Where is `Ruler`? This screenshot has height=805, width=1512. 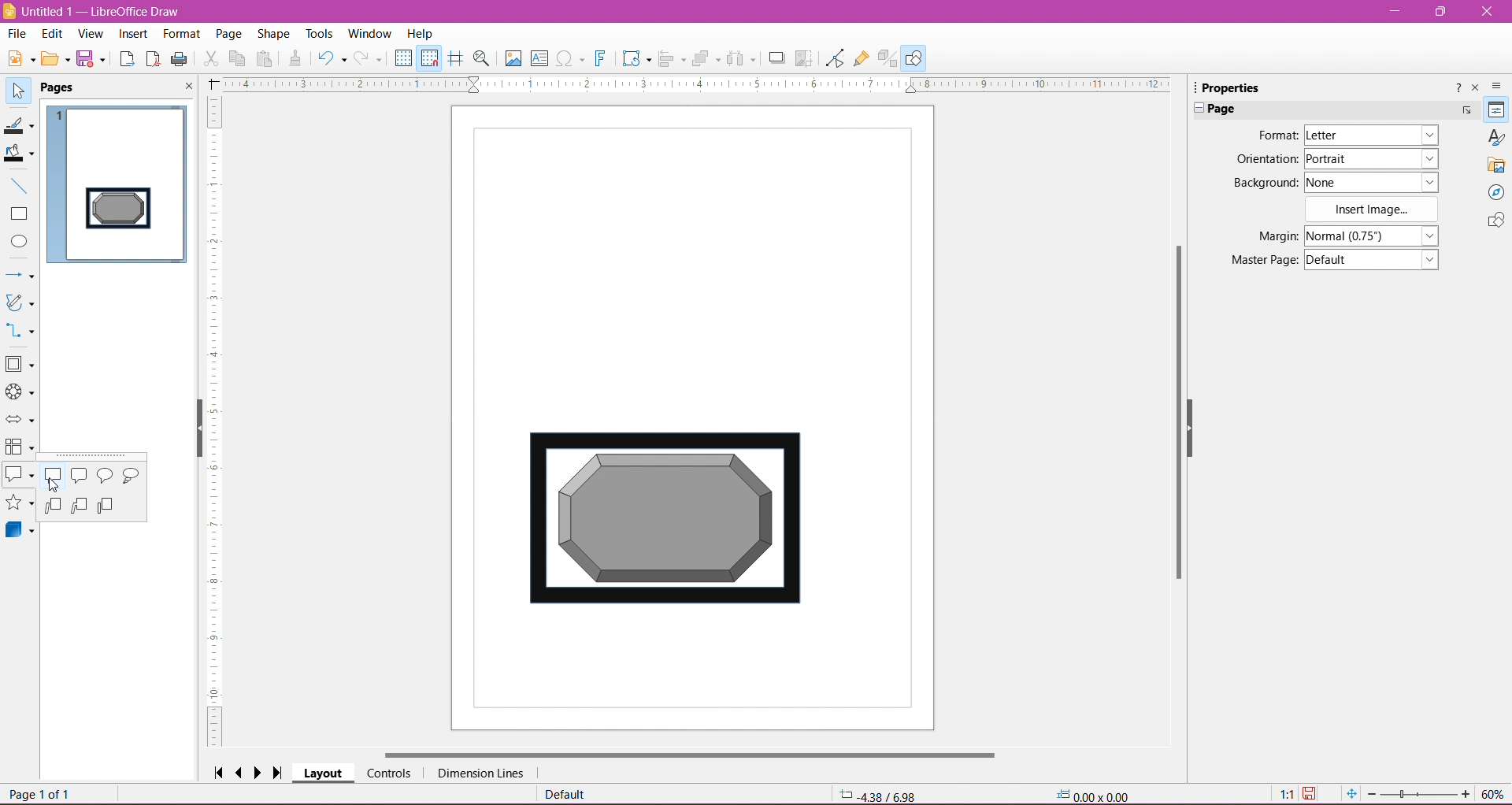
Ruler is located at coordinates (696, 85).